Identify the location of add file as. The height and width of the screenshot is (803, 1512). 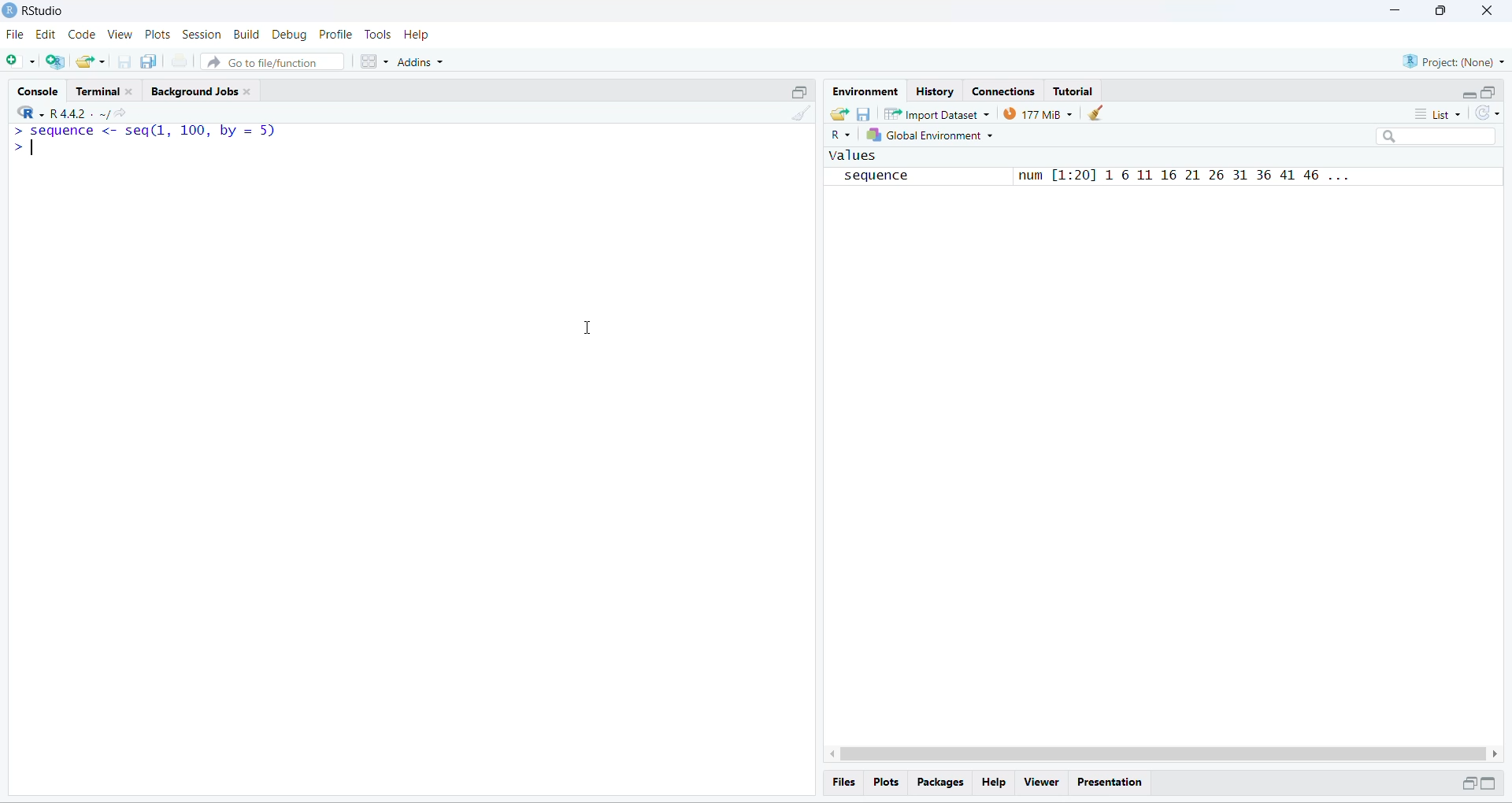
(22, 61).